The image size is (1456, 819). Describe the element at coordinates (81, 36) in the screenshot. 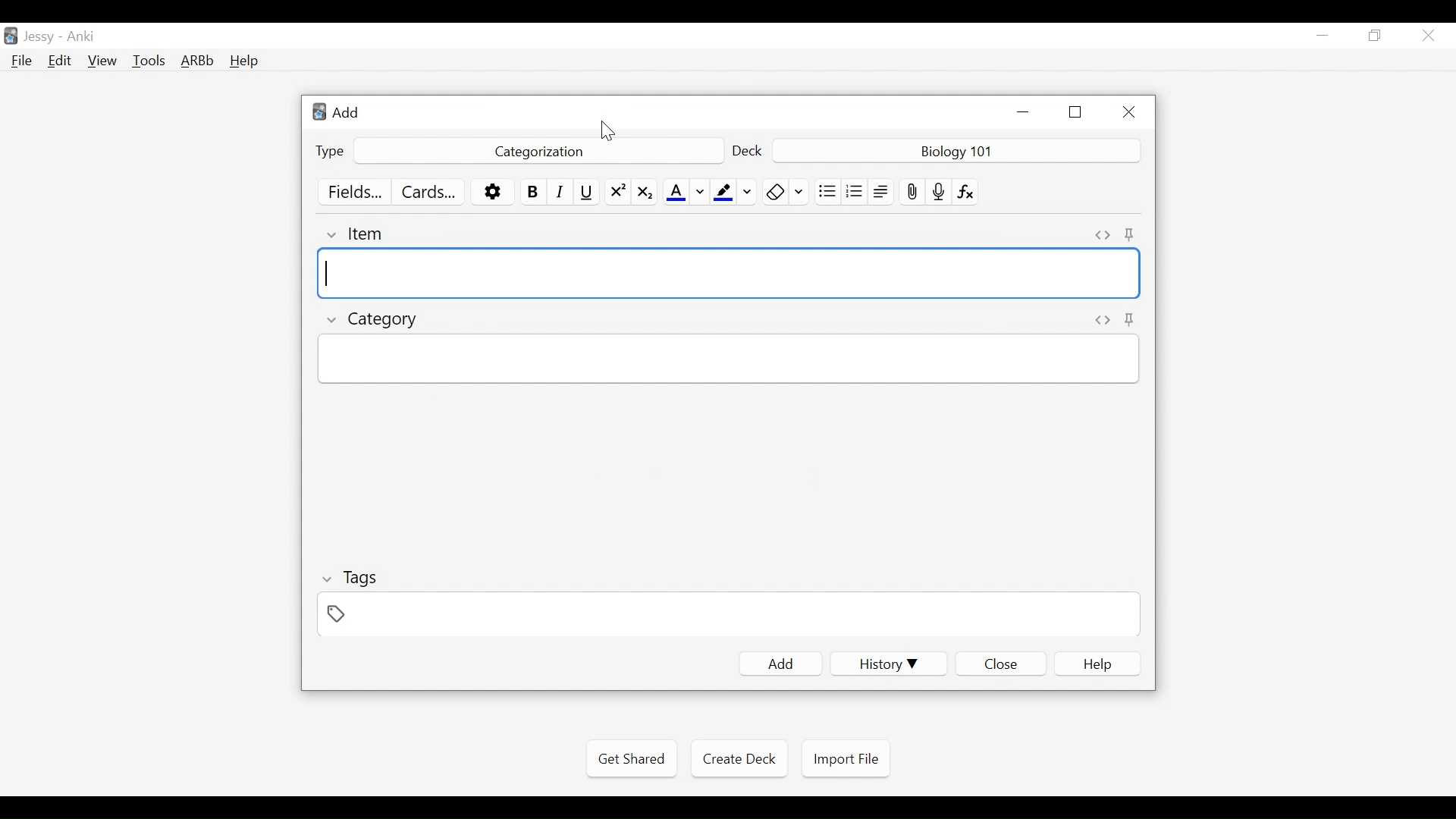

I see `Anki` at that location.